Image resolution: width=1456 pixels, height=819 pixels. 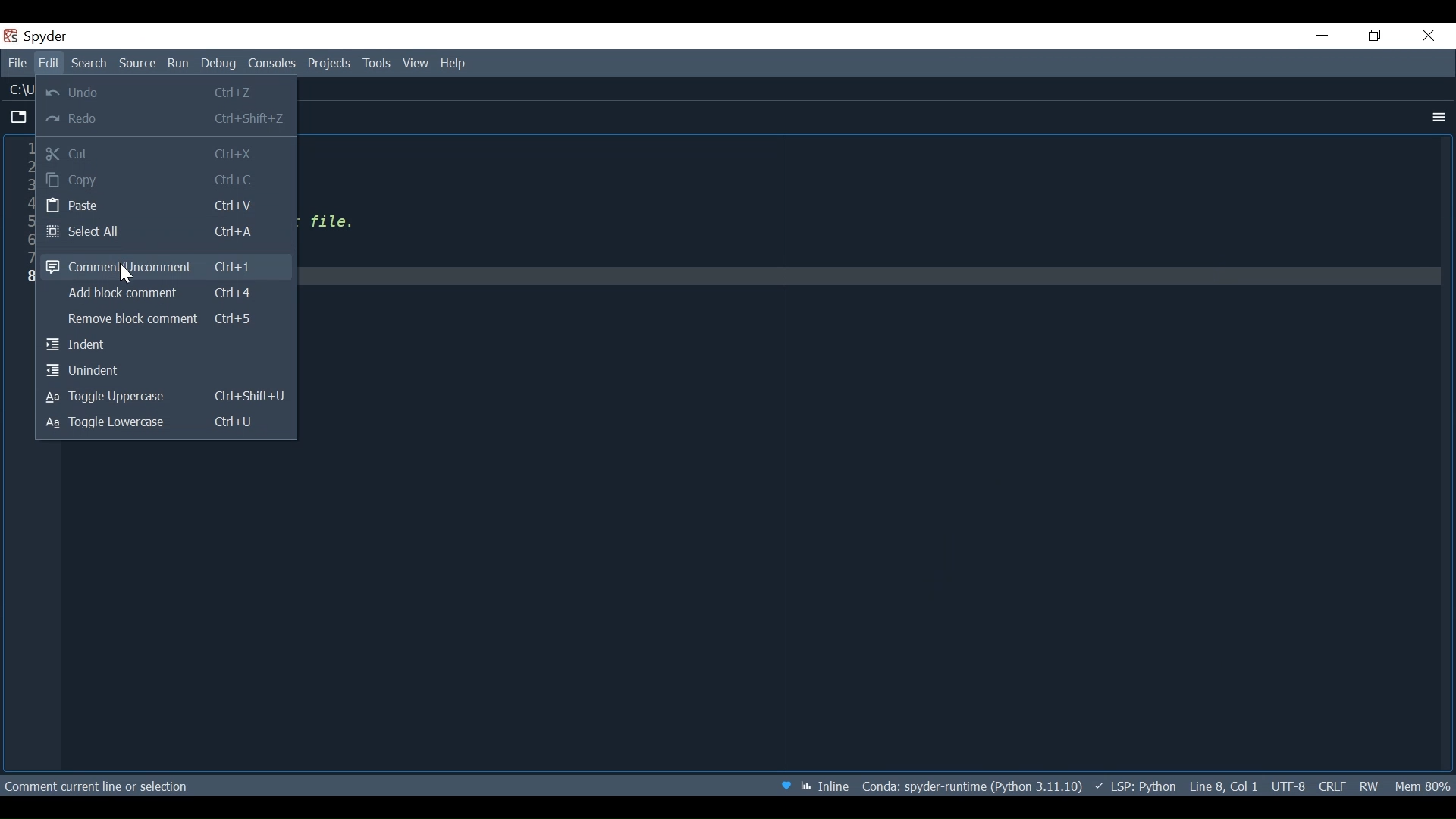 I want to click on Language, so click(x=1134, y=786).